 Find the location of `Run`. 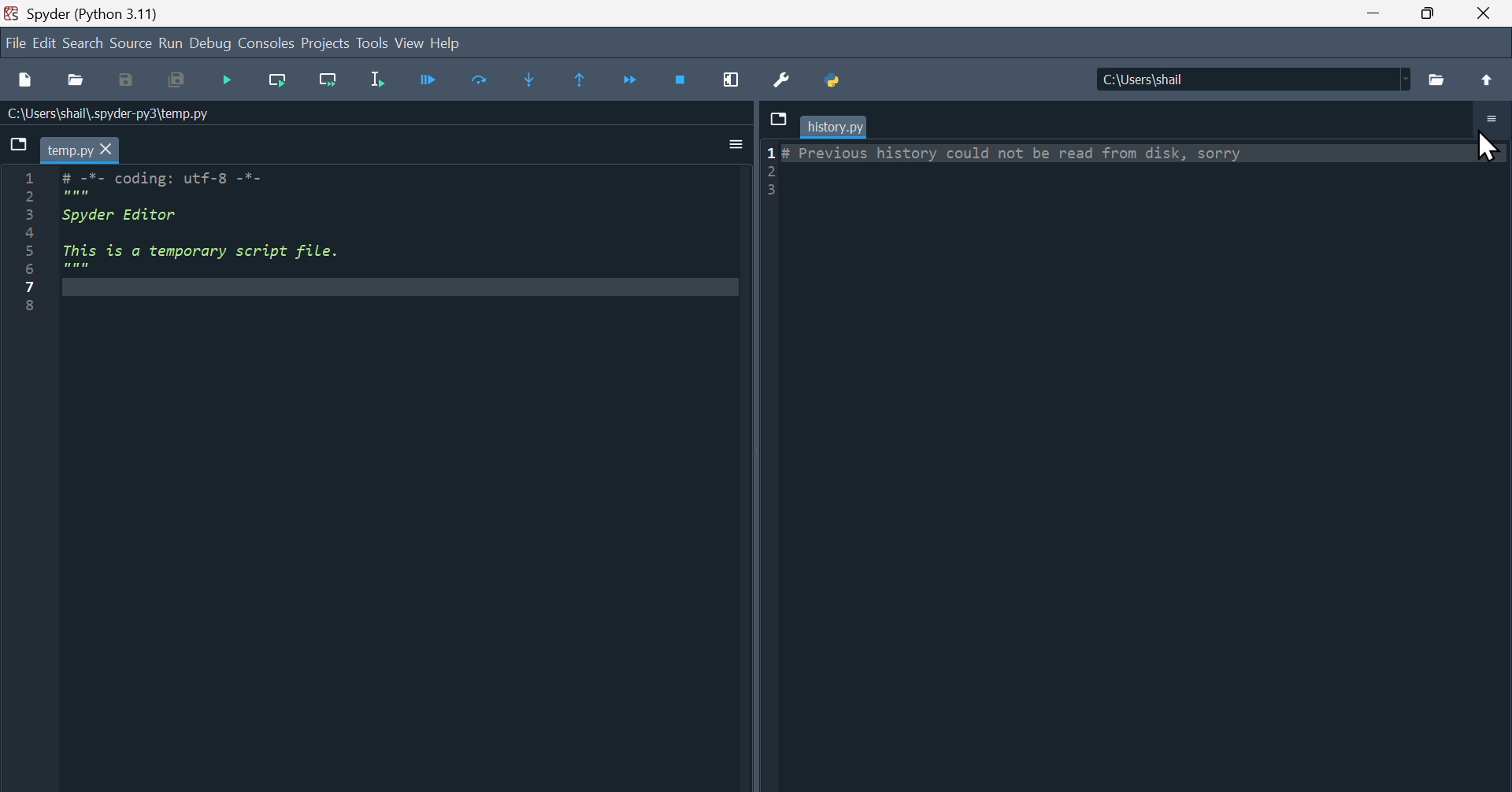

Run is located at coordinates (170, 44).